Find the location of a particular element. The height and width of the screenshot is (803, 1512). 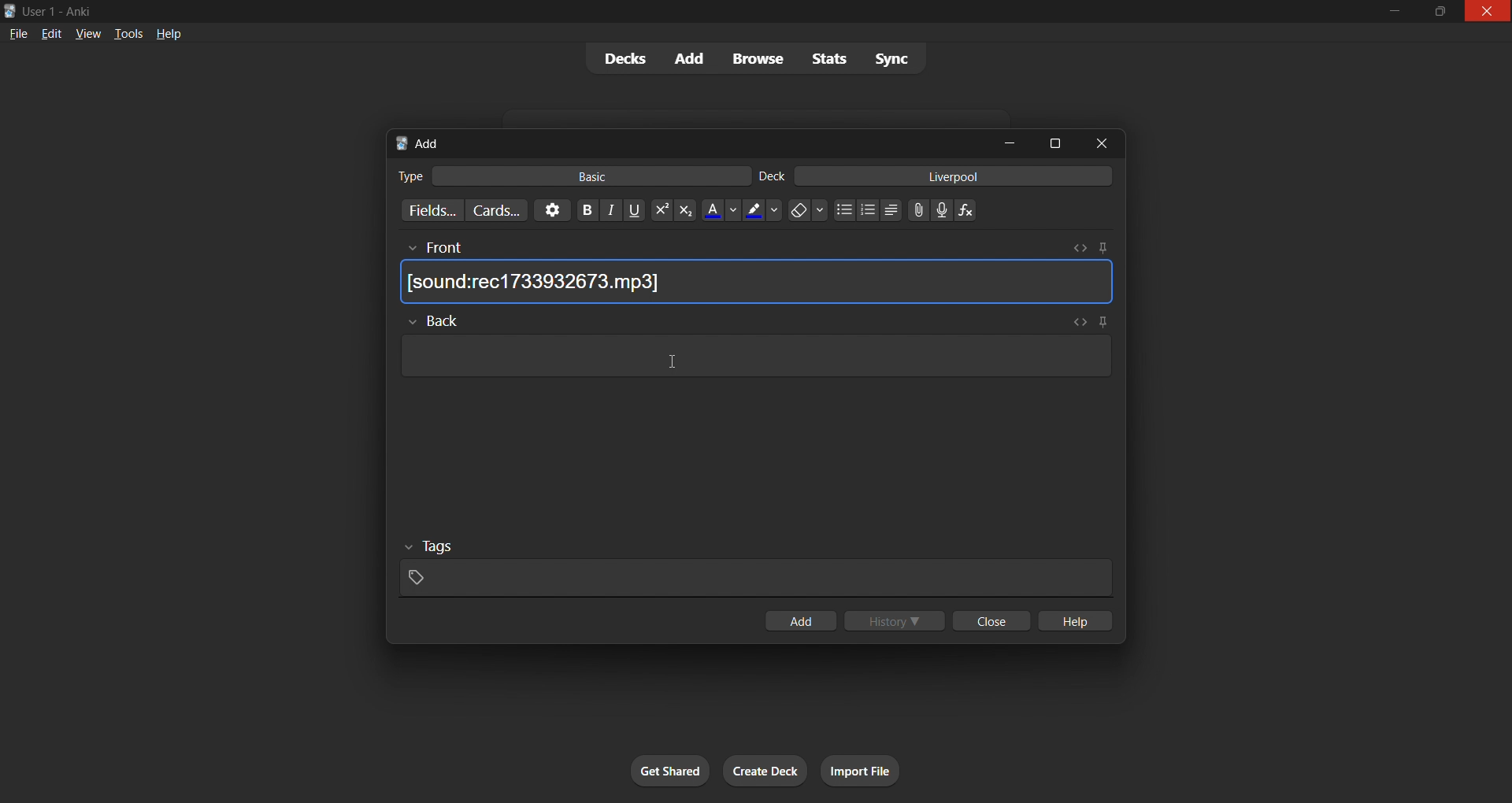

underline is located at coordinates (634, 210).